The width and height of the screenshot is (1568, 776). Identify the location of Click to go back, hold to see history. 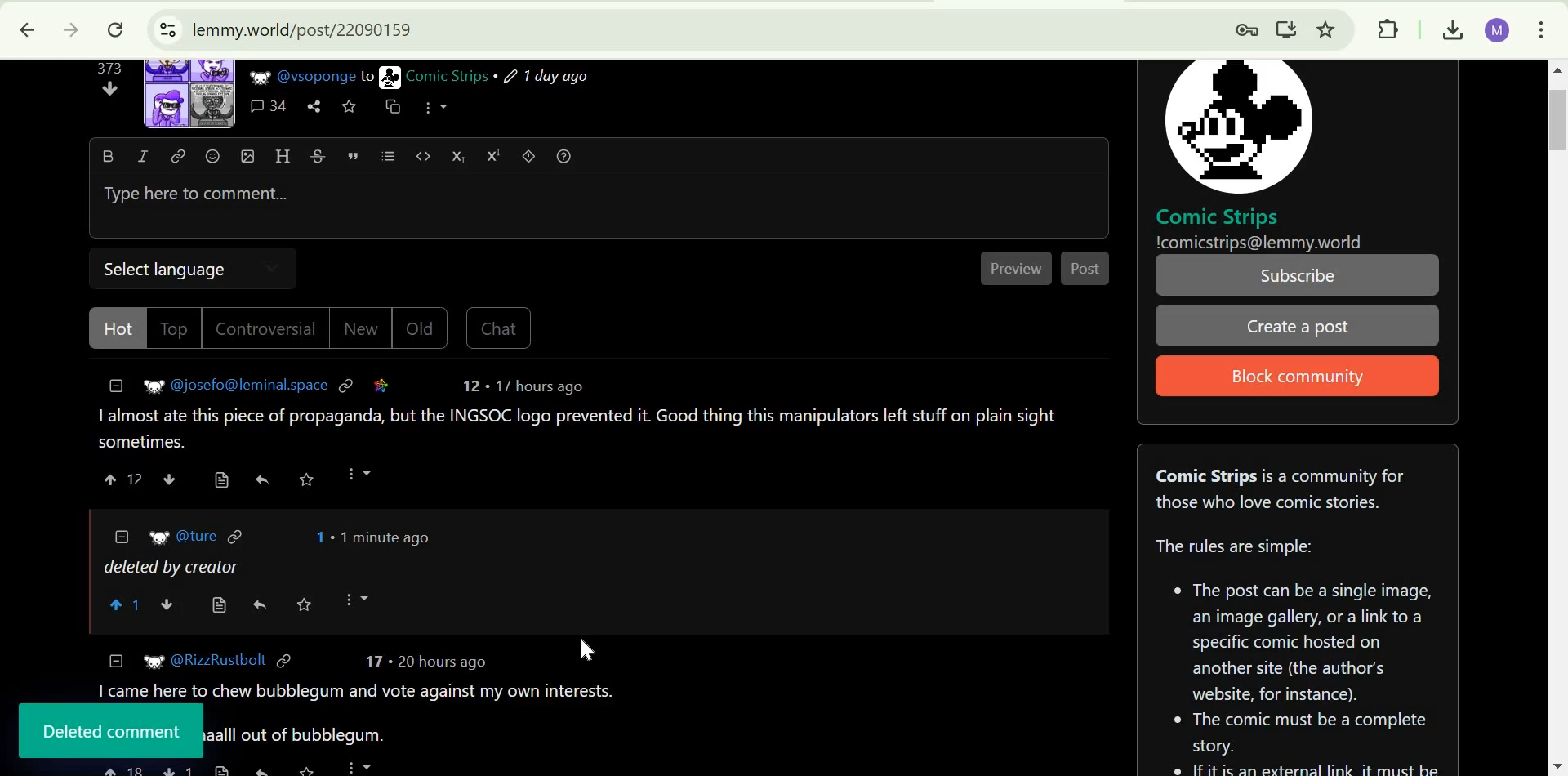
(27, 30).